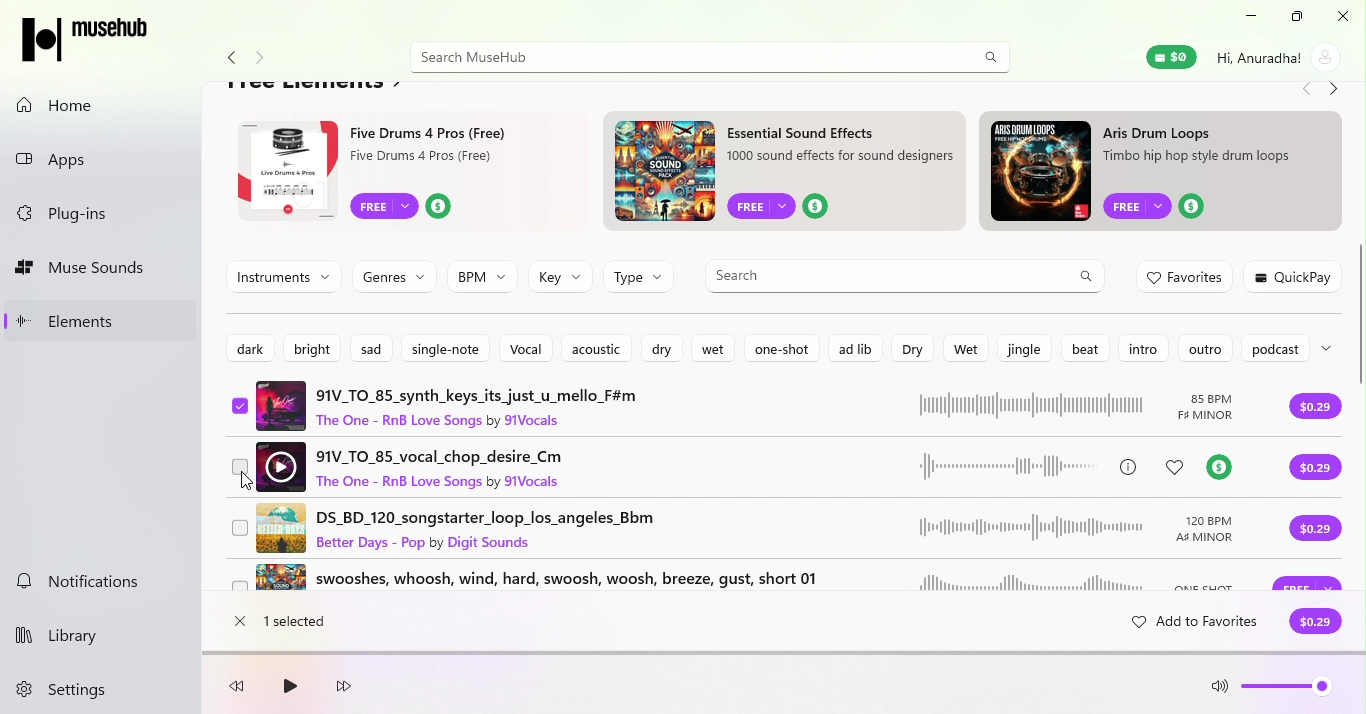 Image resolution: width=1366 pixels, height=714 pixels. What do you see at coordinates (664, 350) in the screenshot?
I see `dry` at bounding box center [664, 350].